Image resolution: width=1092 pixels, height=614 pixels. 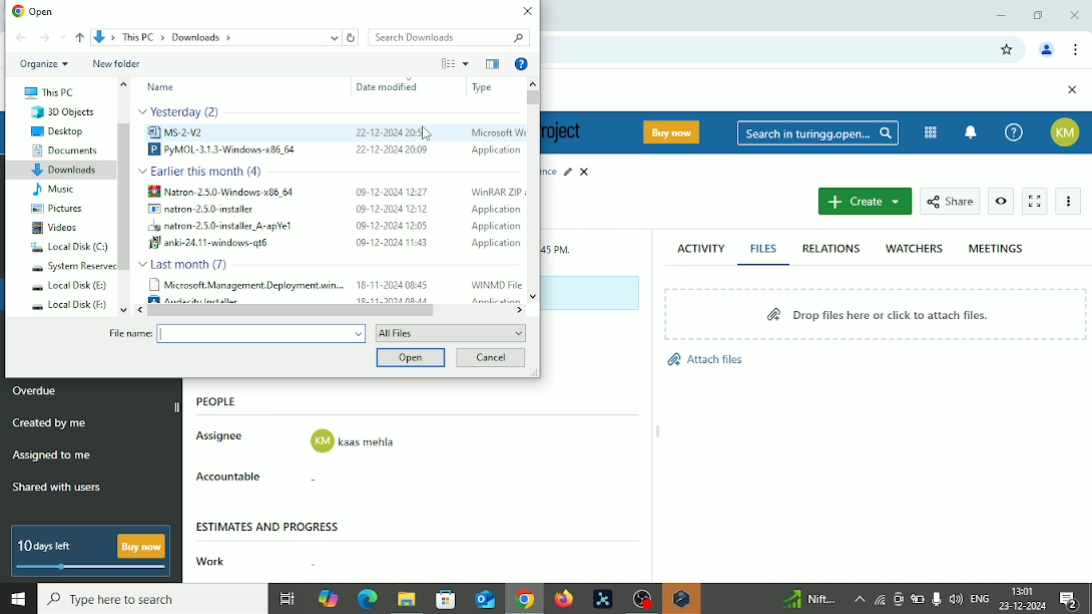 I want to click on Local Disk(E:), so click(x=69, y=286).